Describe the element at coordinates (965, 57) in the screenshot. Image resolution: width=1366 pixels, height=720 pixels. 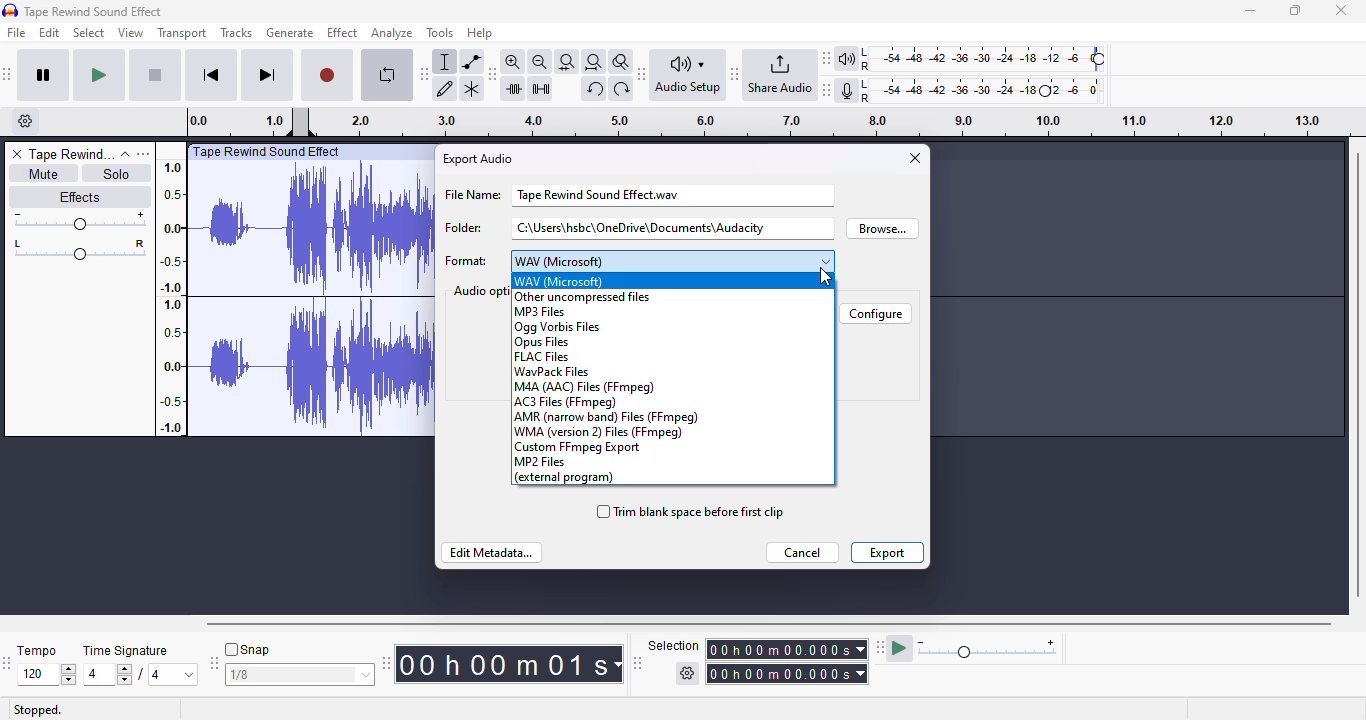
I see `audacity playback meter toolbar` at that location.